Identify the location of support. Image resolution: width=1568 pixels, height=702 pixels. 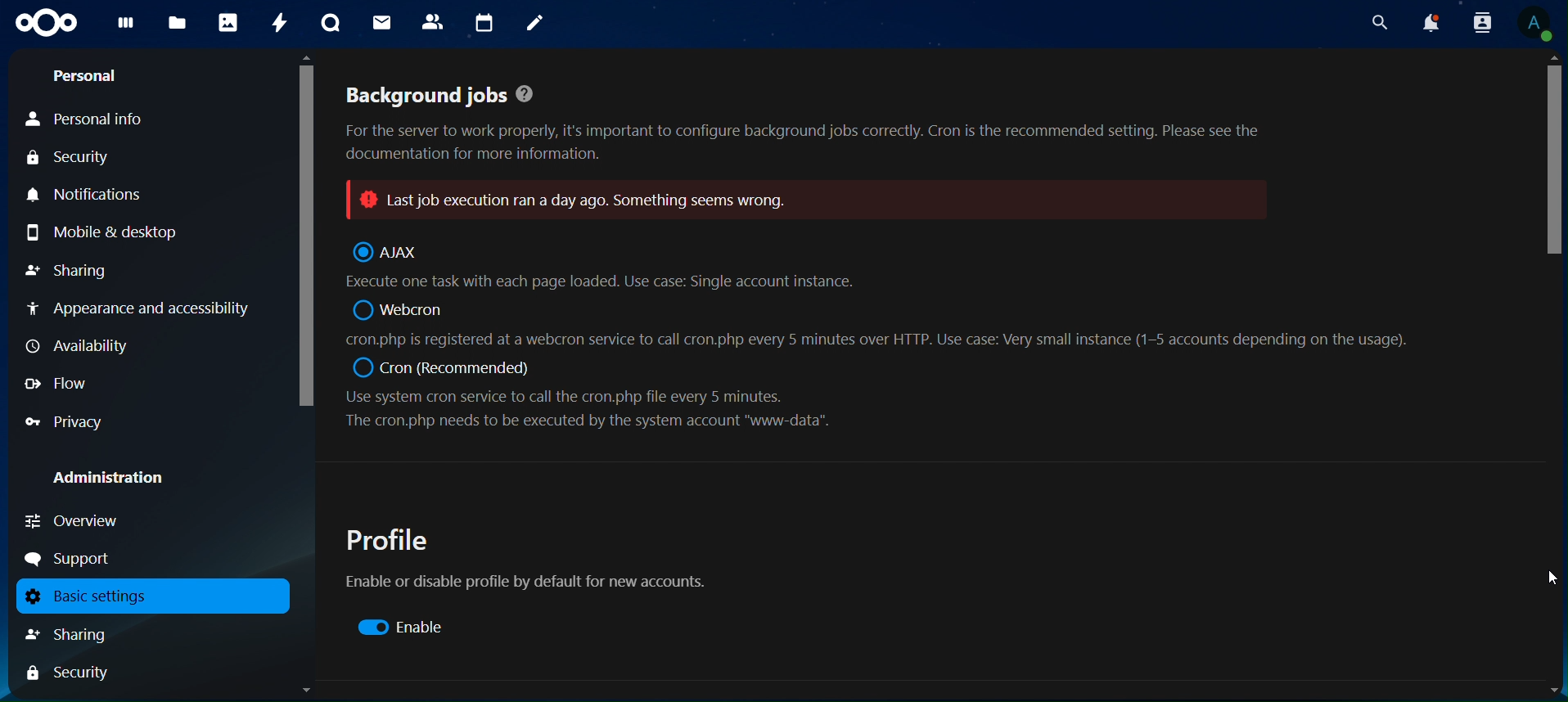
(74, 559).